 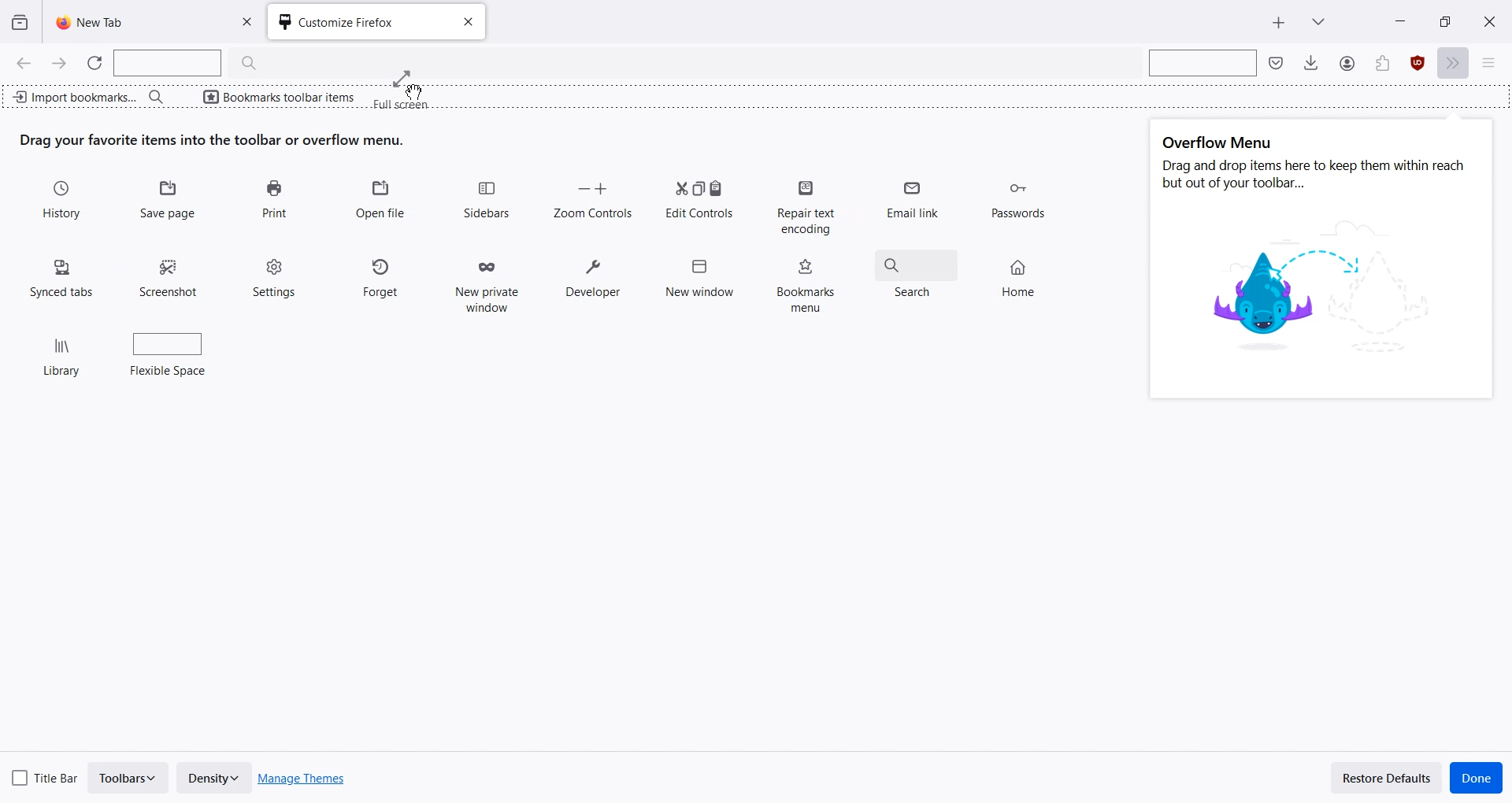 What do you see at coordinates (1418, 64) in the screenshot?
I see `Extensions` at bounding box center [1418, 64].